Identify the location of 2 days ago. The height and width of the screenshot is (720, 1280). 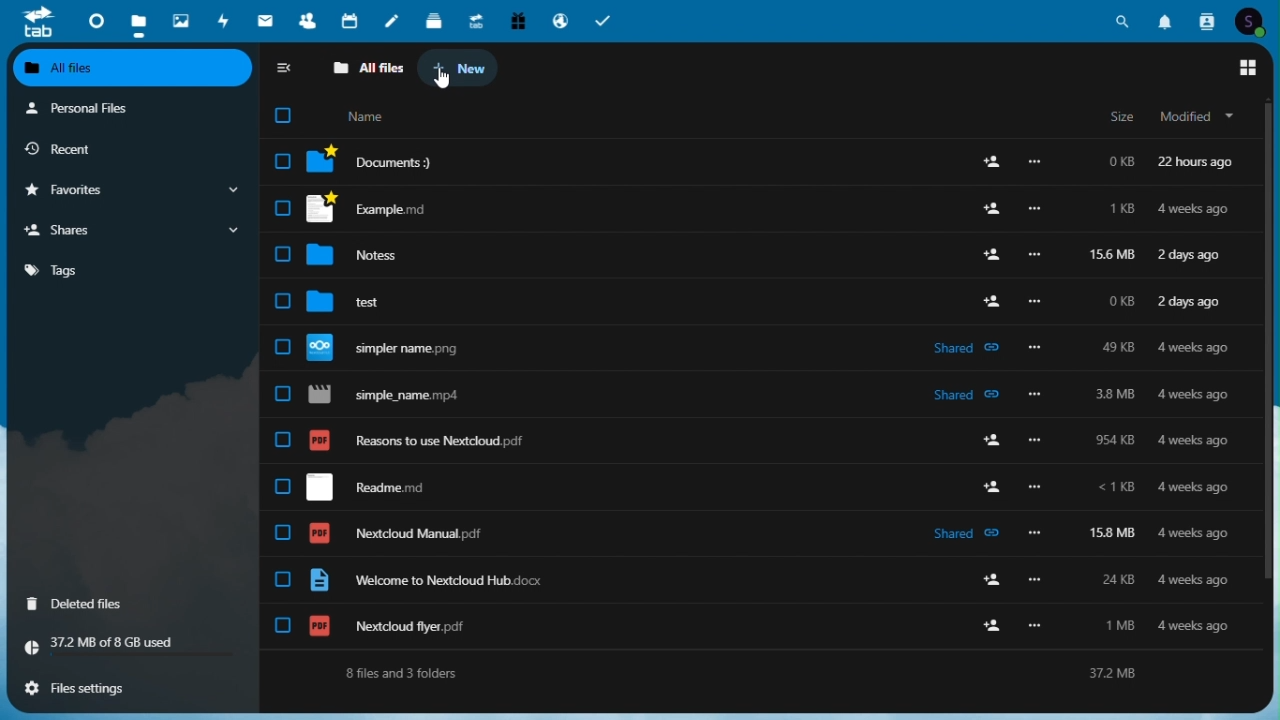
(1191, 258).